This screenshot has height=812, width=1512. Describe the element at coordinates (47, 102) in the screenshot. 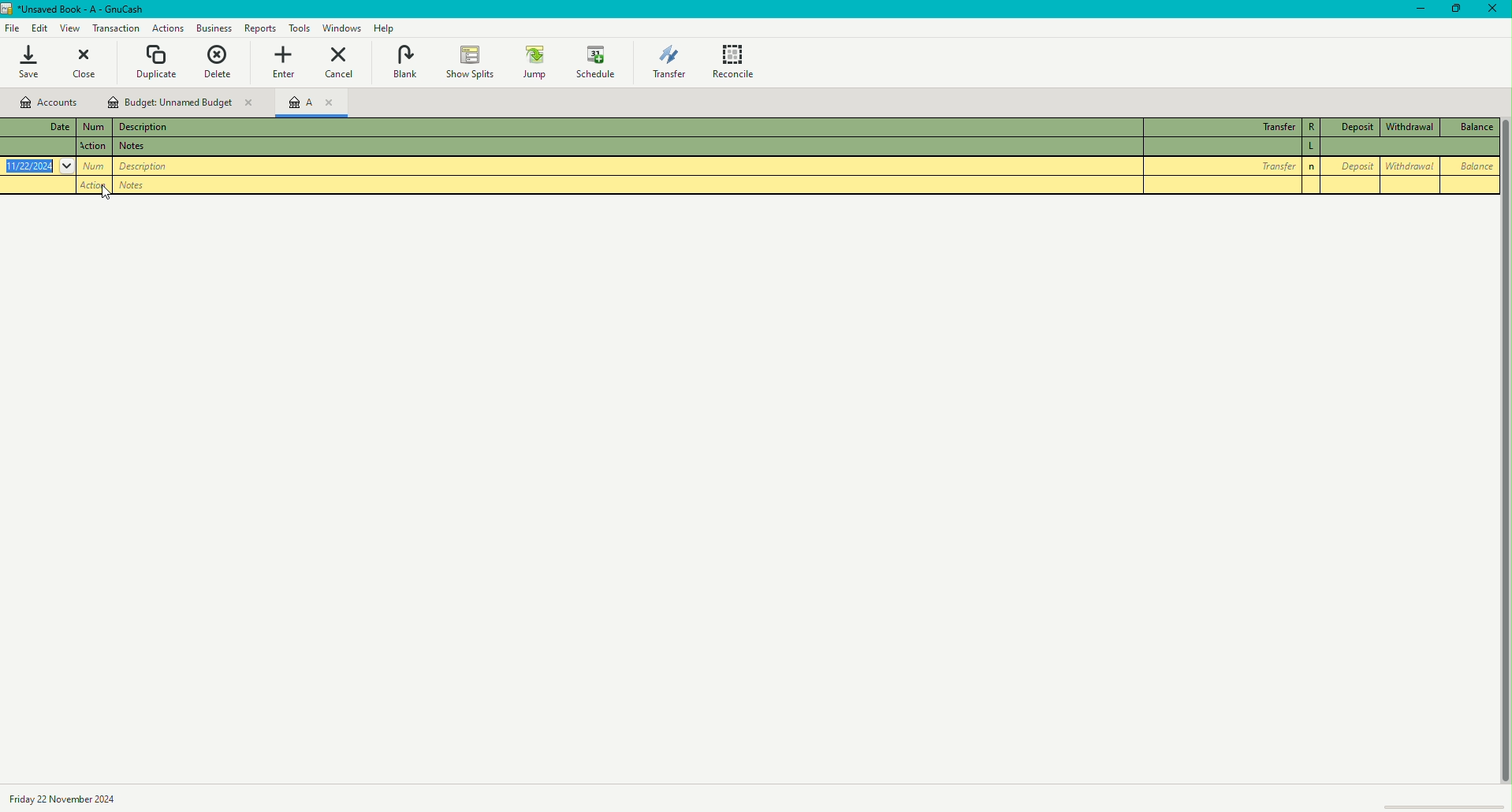

I see `Accounts` at that location.